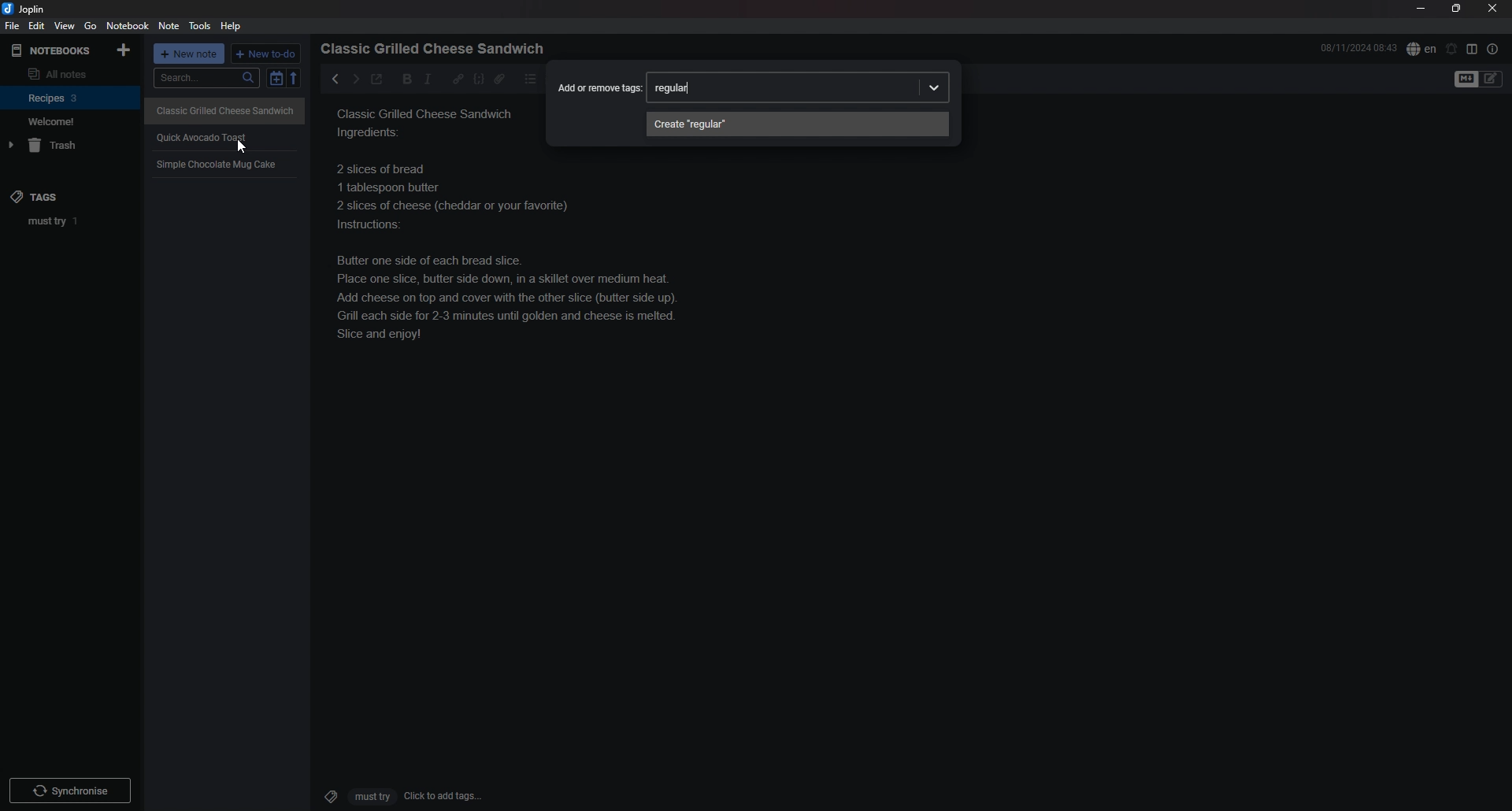 This screenshot has height=811, width=1512. I want to click on toggle sort order, so click(276, 80).